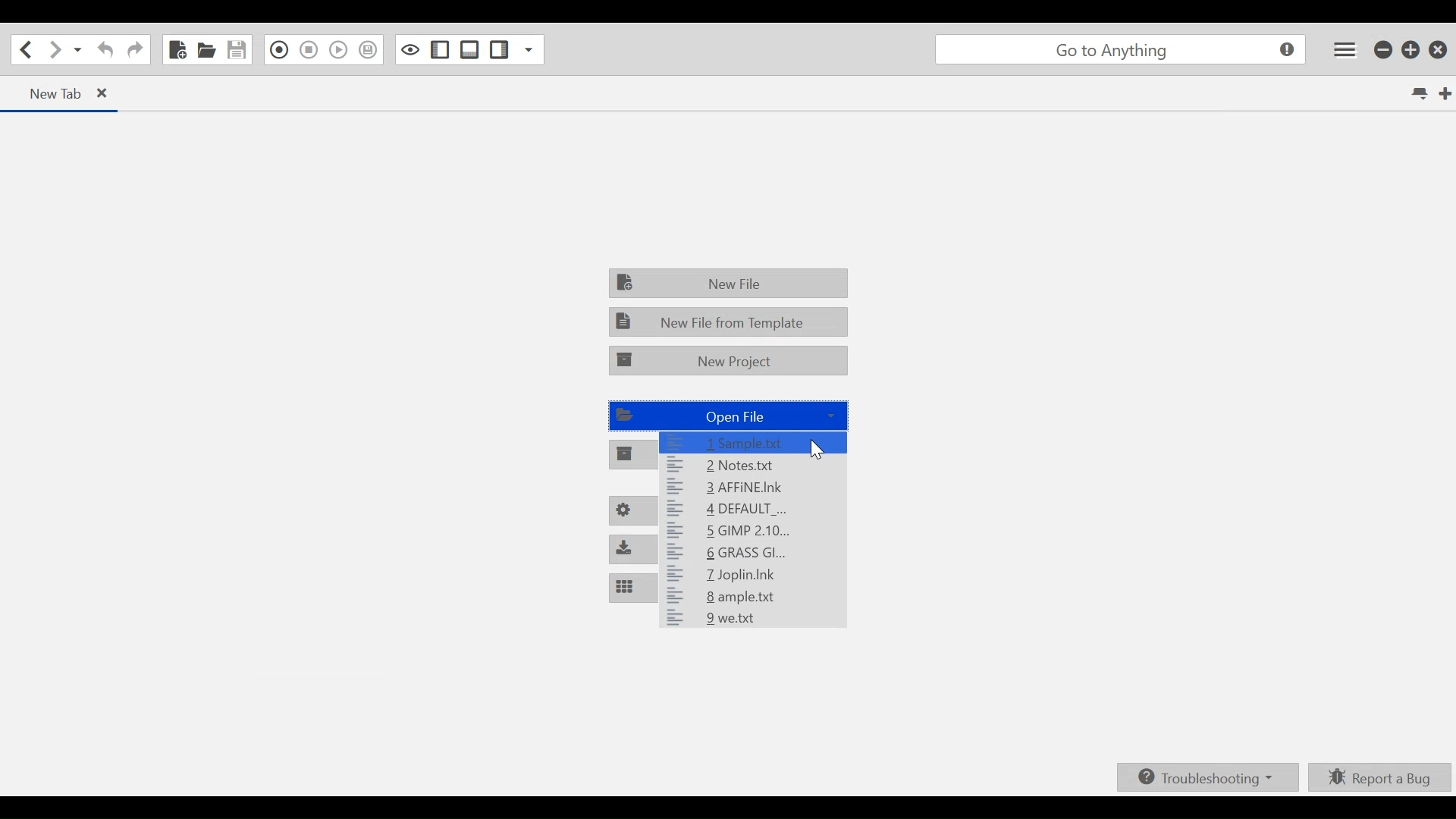 The width and height of the screenshot is (1456, 819). Describe the element at coordinates (631, 588) in the screenshot. I see `Customize Panes` at that location.